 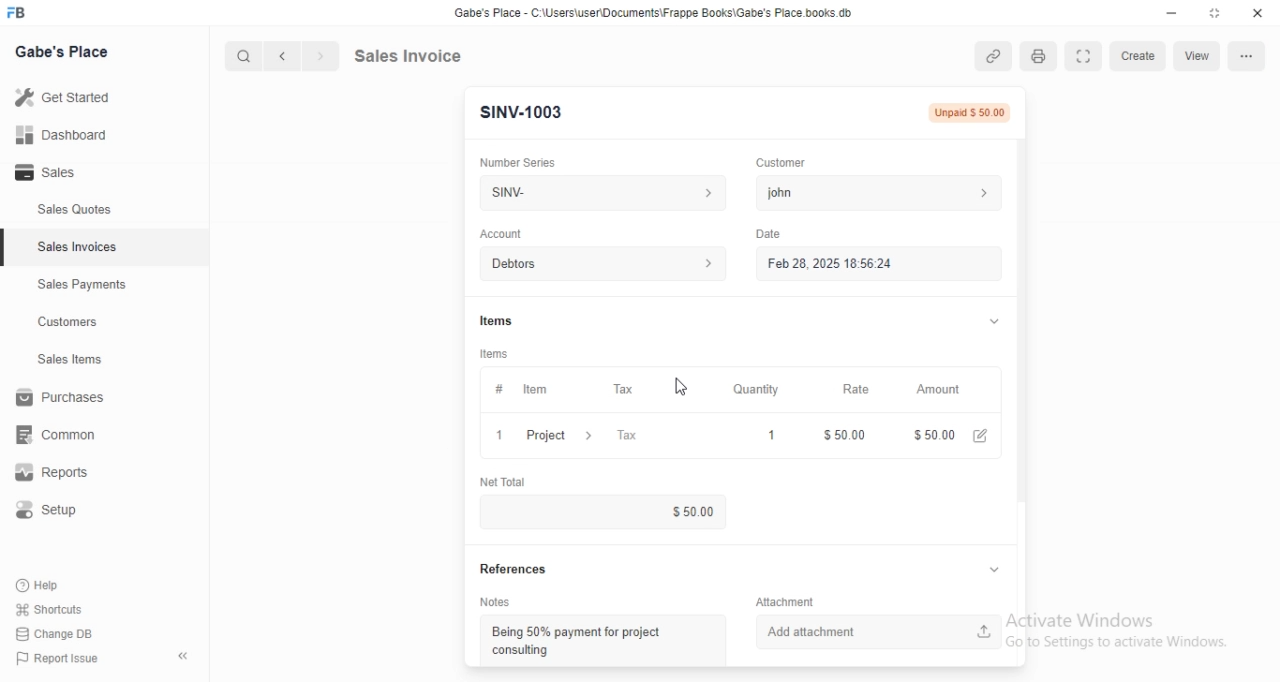 I want to click on more, so click(x=1250, y=55).